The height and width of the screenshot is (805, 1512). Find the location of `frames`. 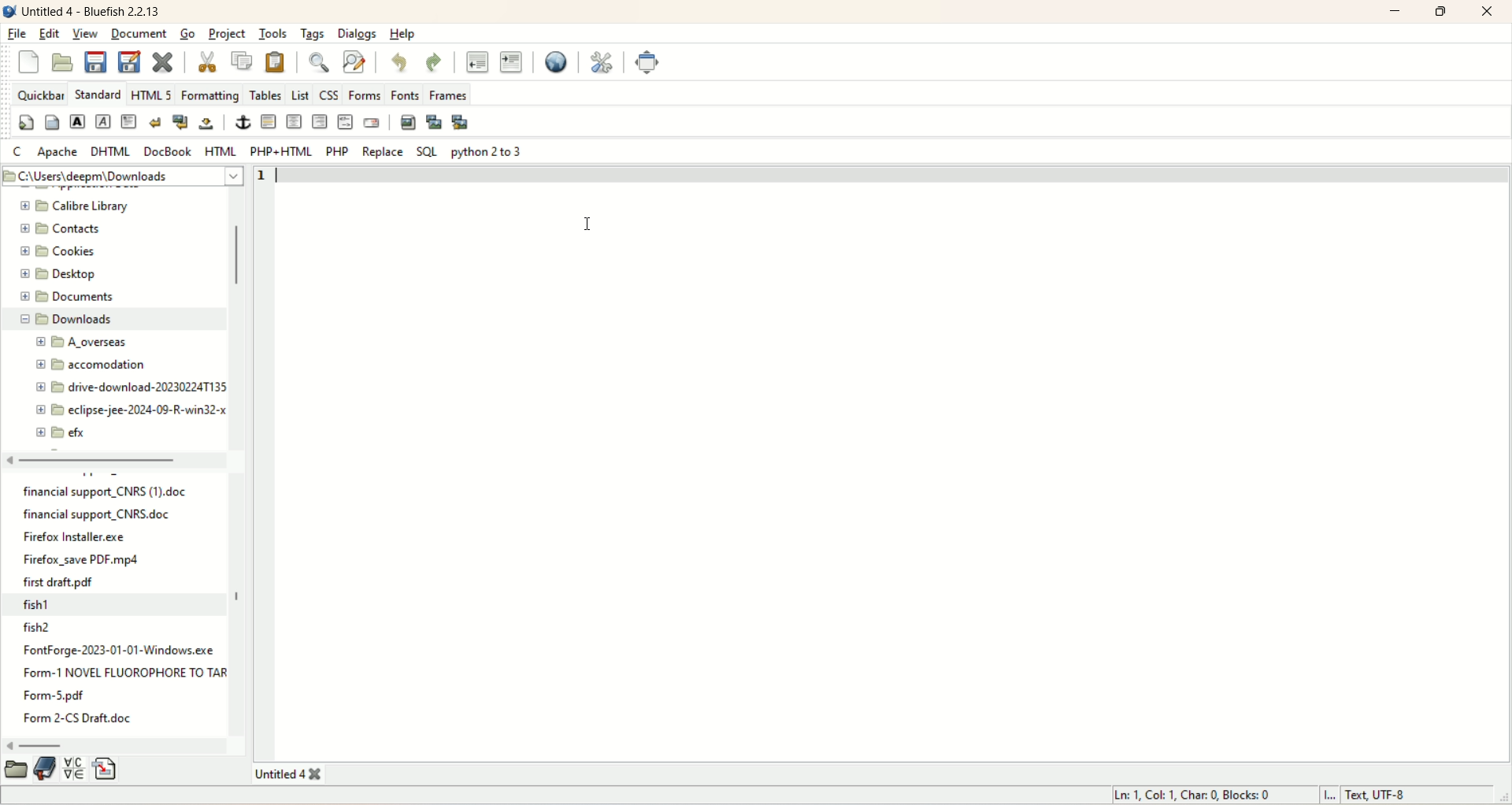

frames is located at coordinates (450, 94).